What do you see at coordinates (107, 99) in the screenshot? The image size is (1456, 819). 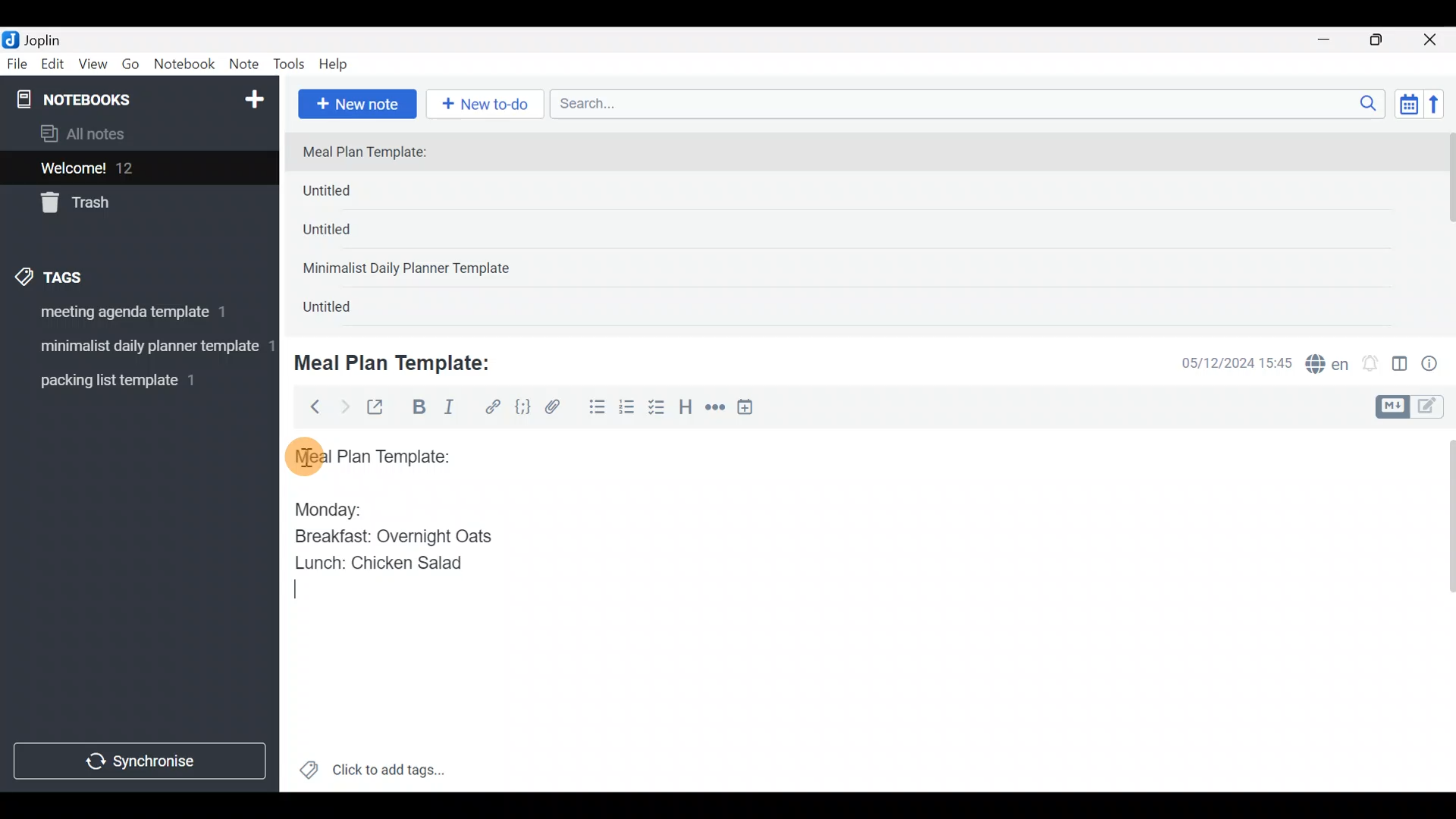 I see `Notebooks` at bounding box center [107, 99].